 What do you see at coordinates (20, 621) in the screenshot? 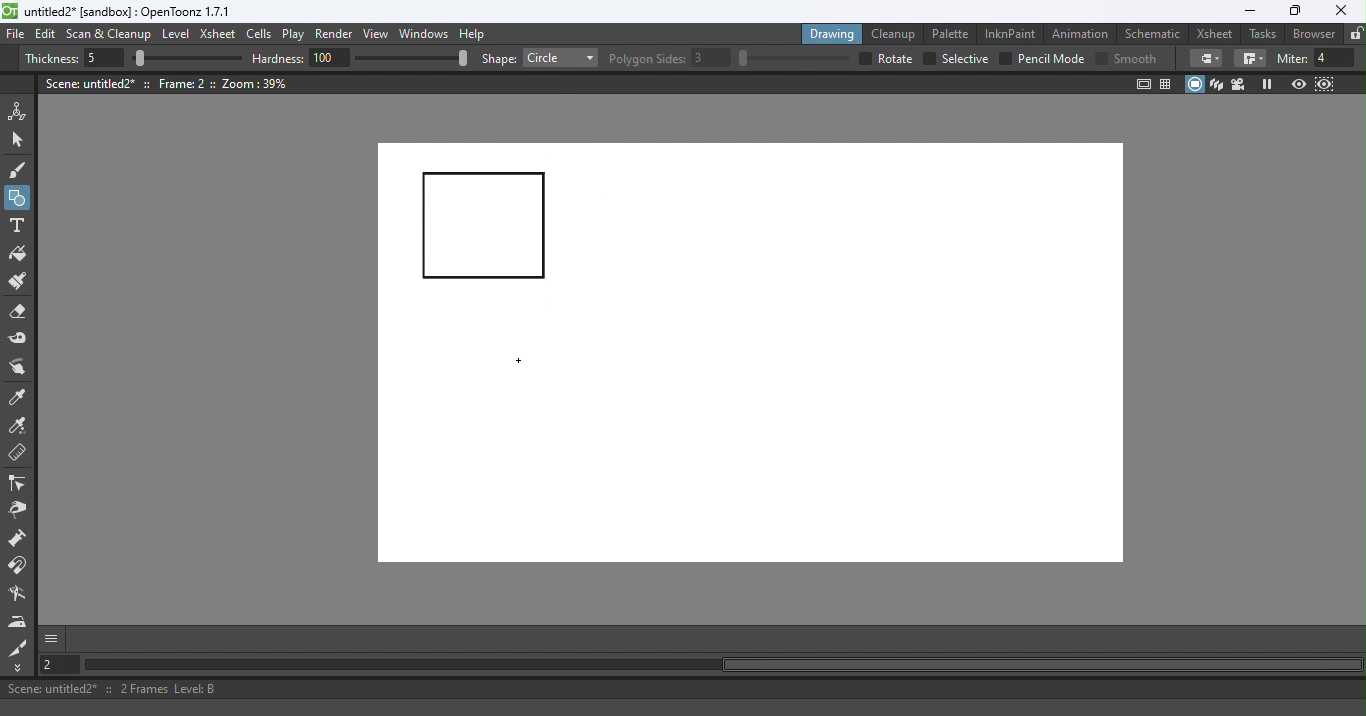
I see `Iron tool` at bounding box center [20, 621].